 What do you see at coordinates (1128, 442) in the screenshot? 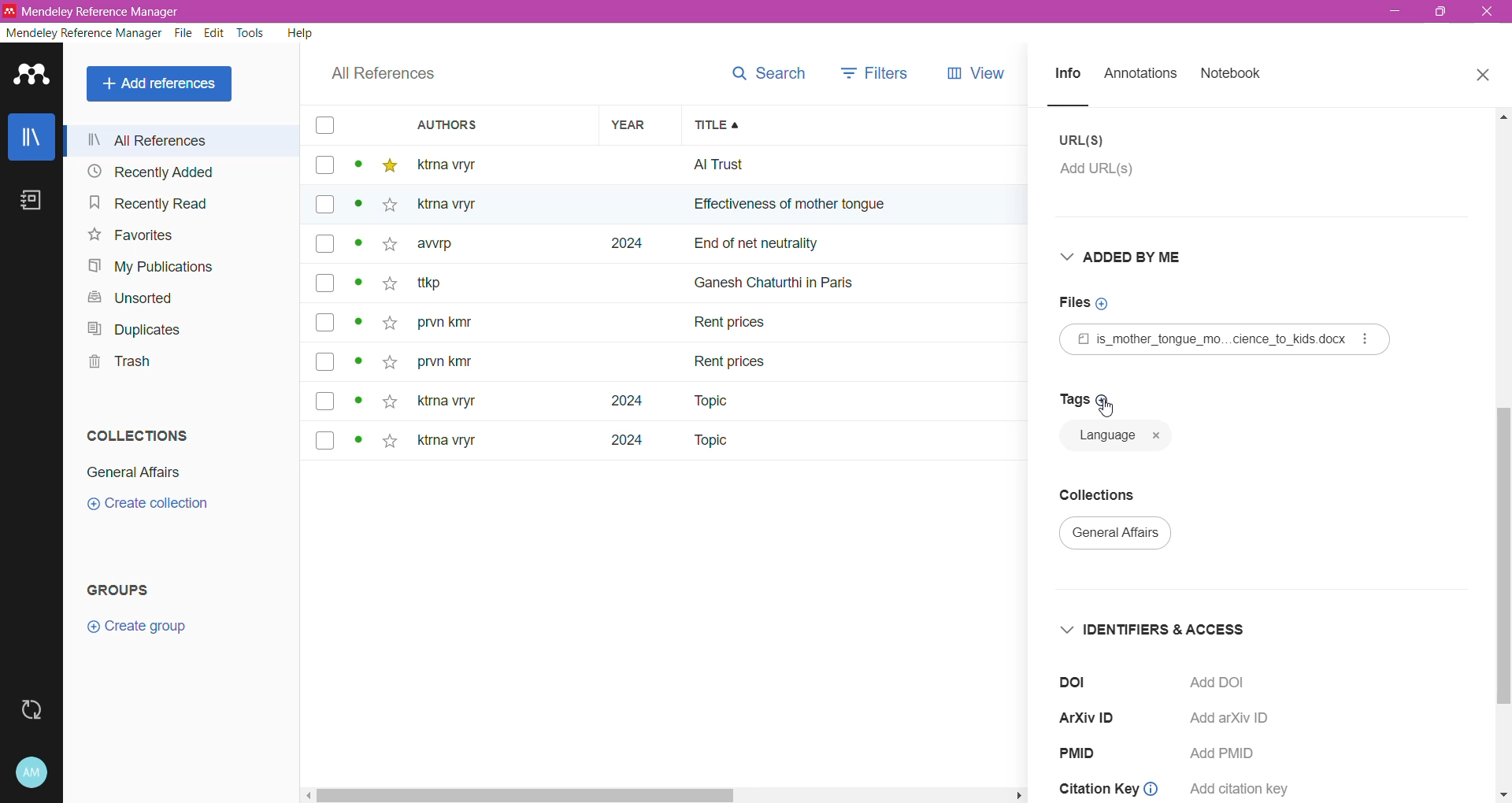
I see `language ` at bounding box center [1128, 442].